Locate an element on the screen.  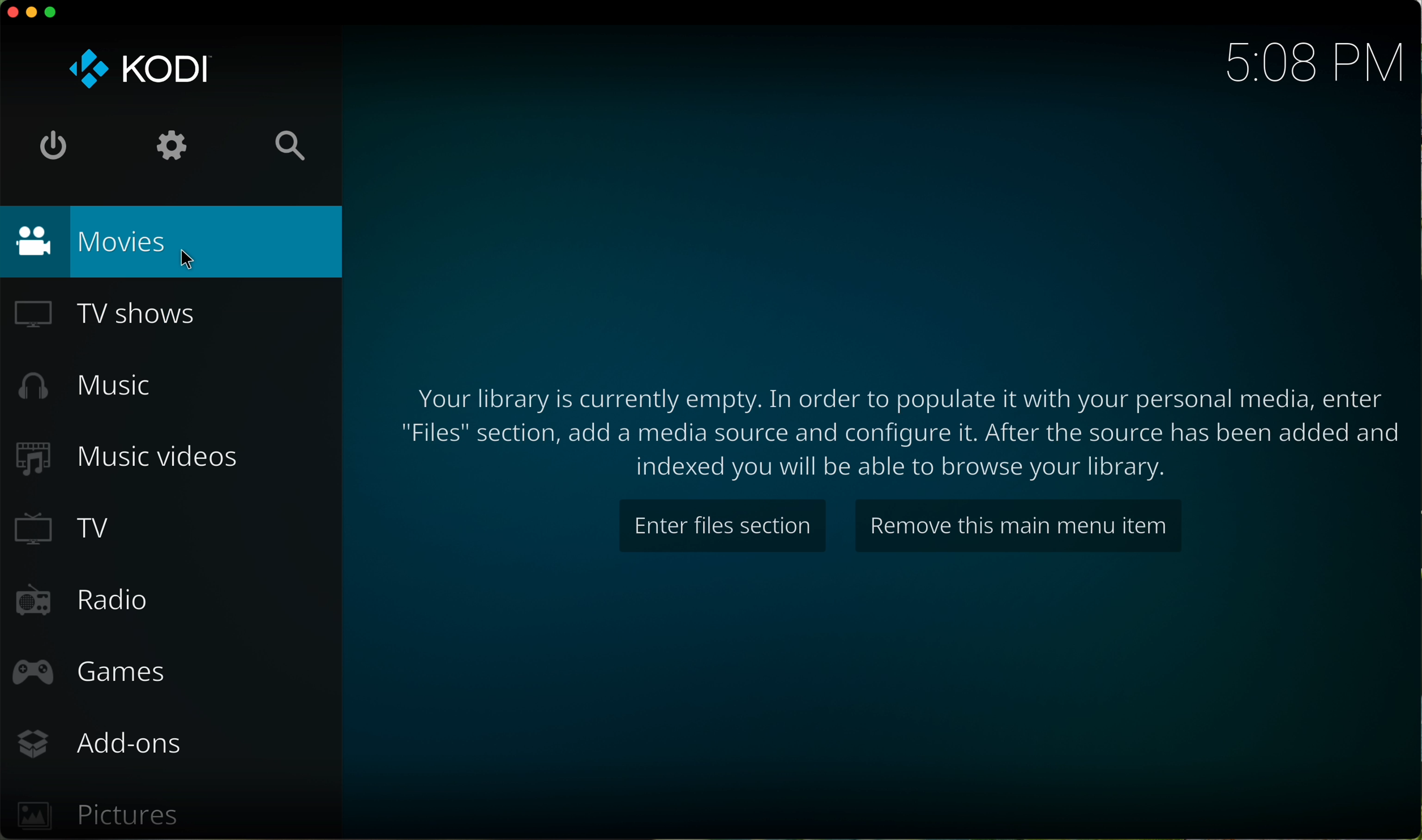
hour is located at coordinates (1305, 63).